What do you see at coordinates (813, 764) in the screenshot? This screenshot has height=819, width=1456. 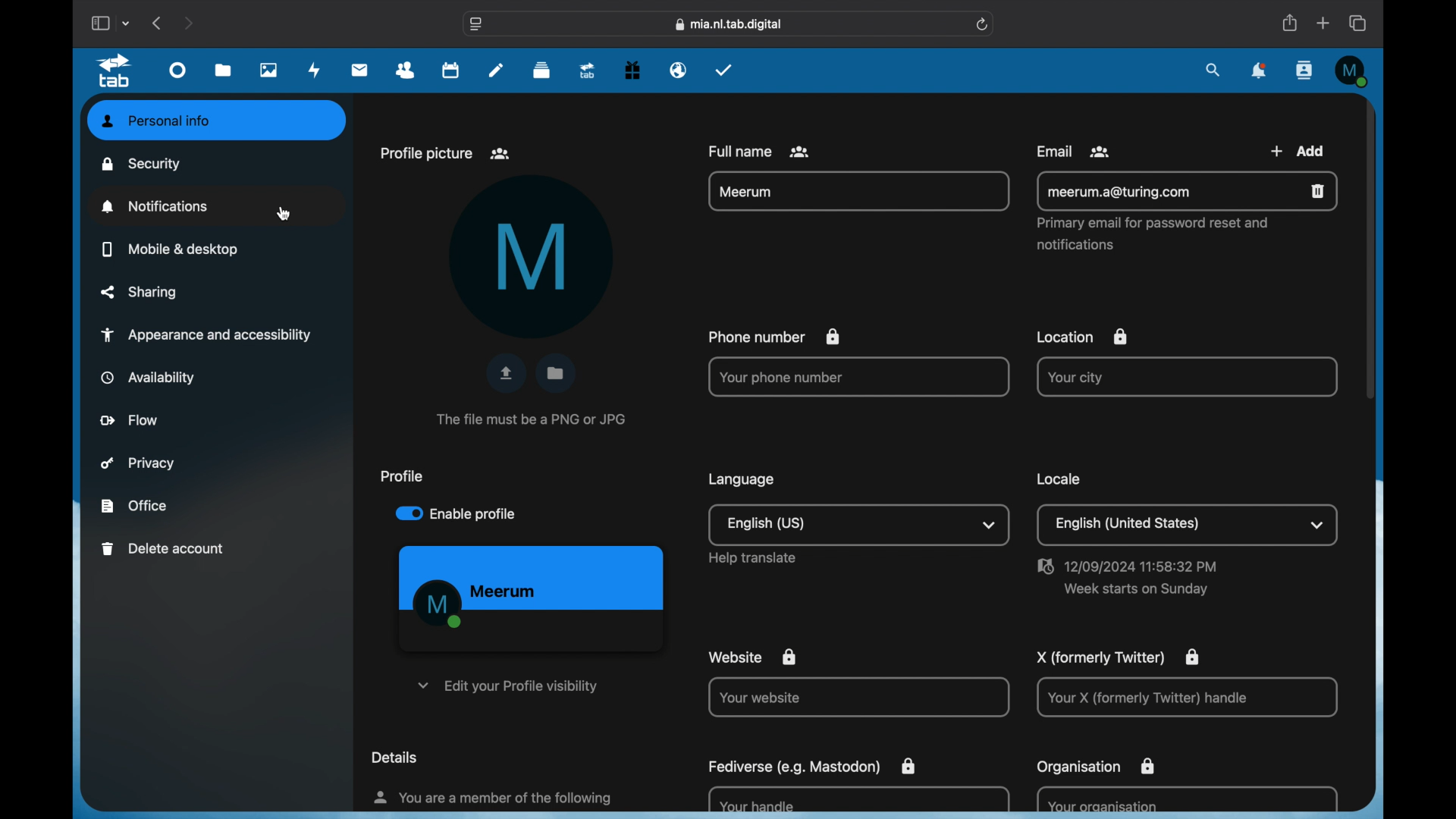 I see `fediverse` at bounding box center [813, 764].